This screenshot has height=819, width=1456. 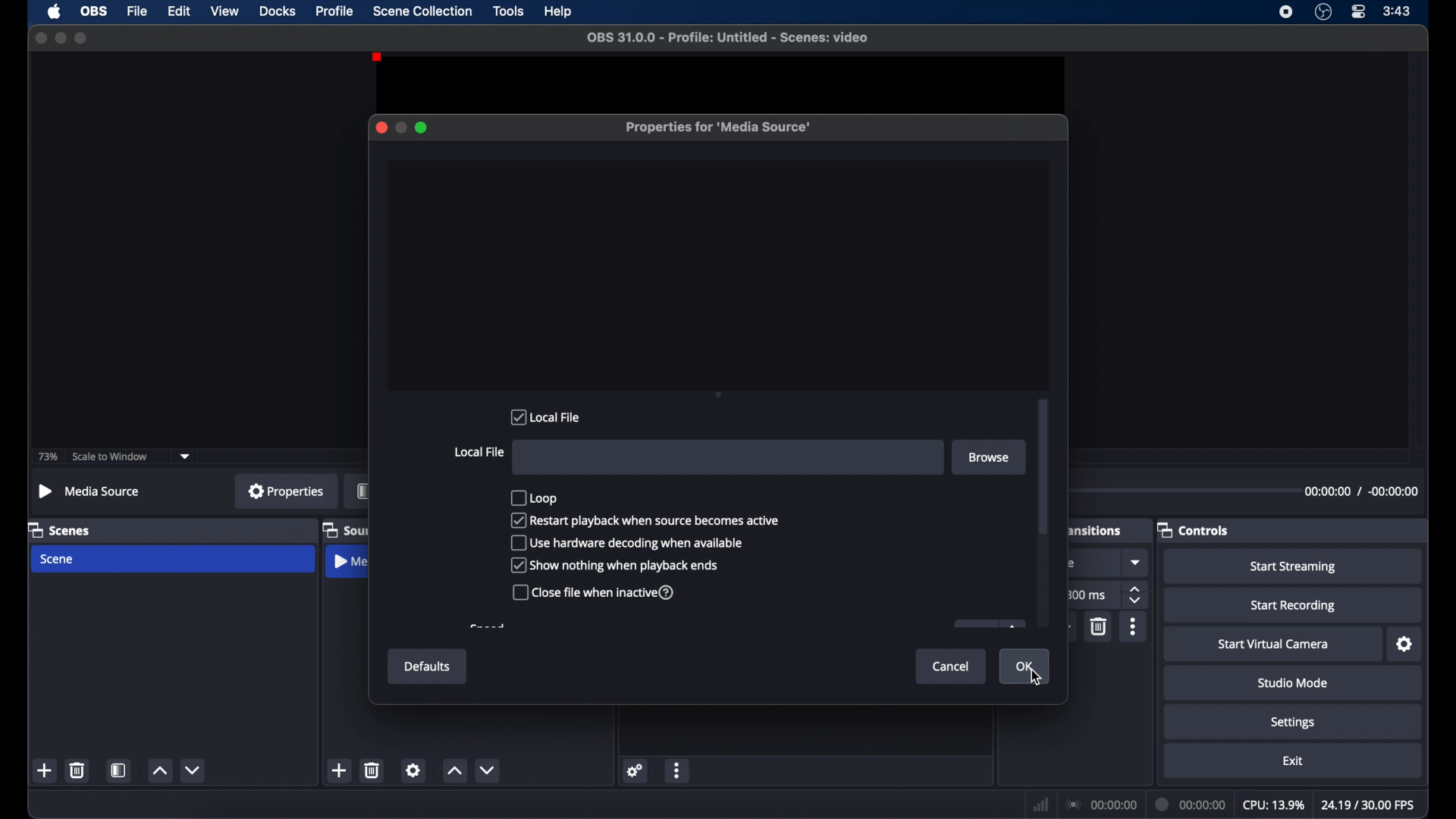 I want to click on properties, so click(x=287, y=491).